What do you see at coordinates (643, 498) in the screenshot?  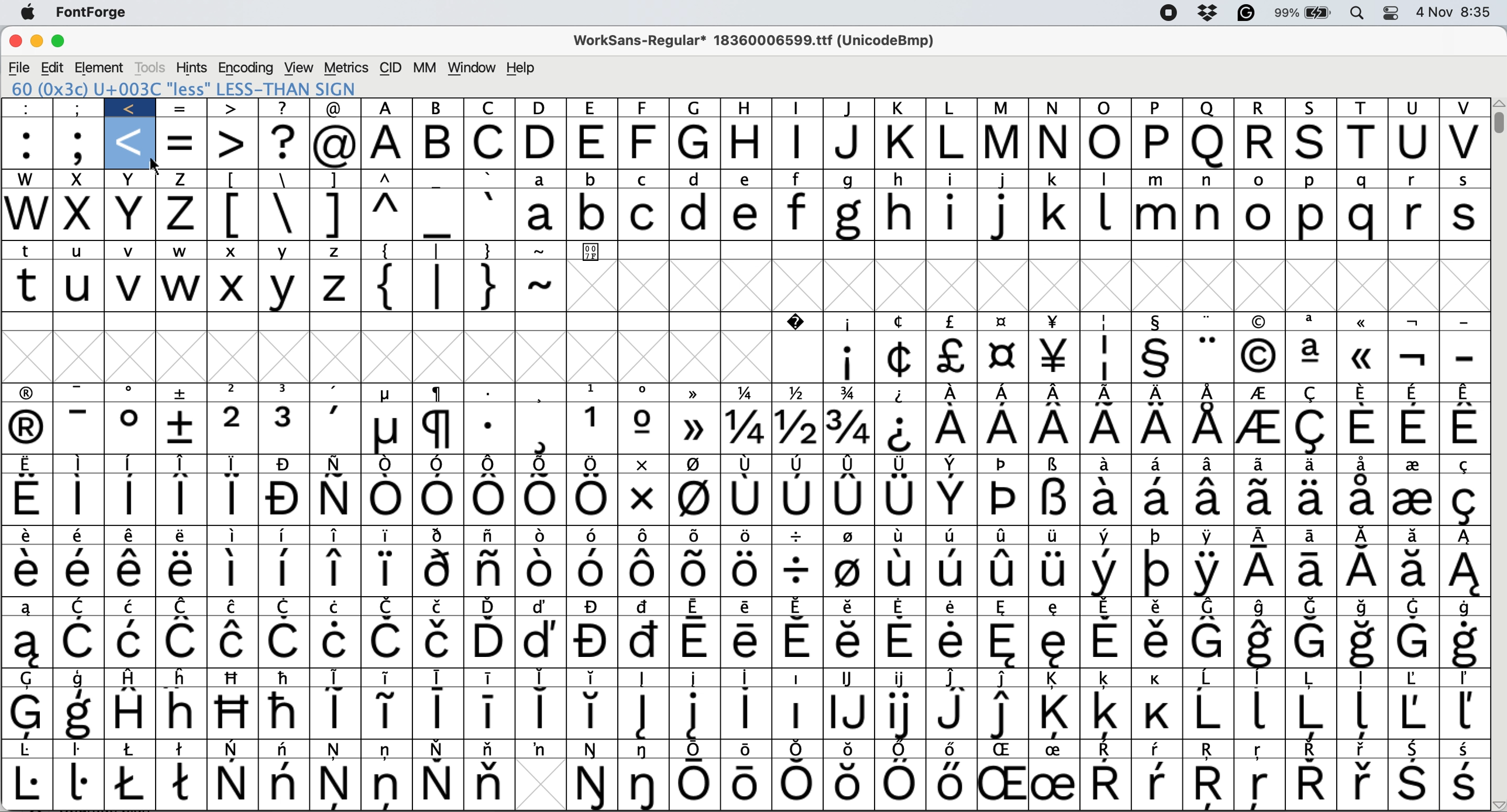 I see `Symbol` at bounding box center [643, 498].